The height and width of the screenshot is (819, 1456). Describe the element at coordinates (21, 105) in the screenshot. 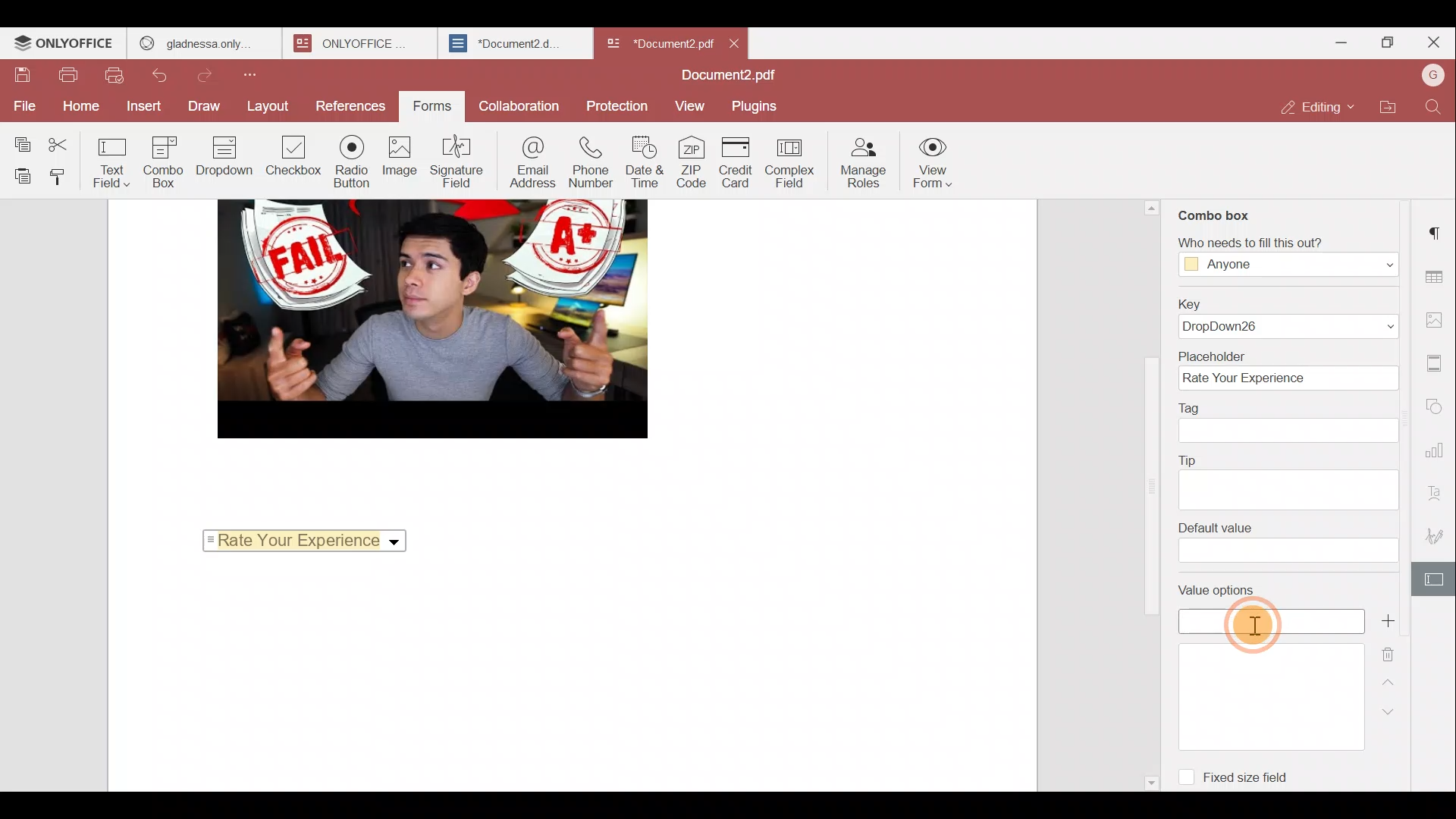

I see `File` at that location.